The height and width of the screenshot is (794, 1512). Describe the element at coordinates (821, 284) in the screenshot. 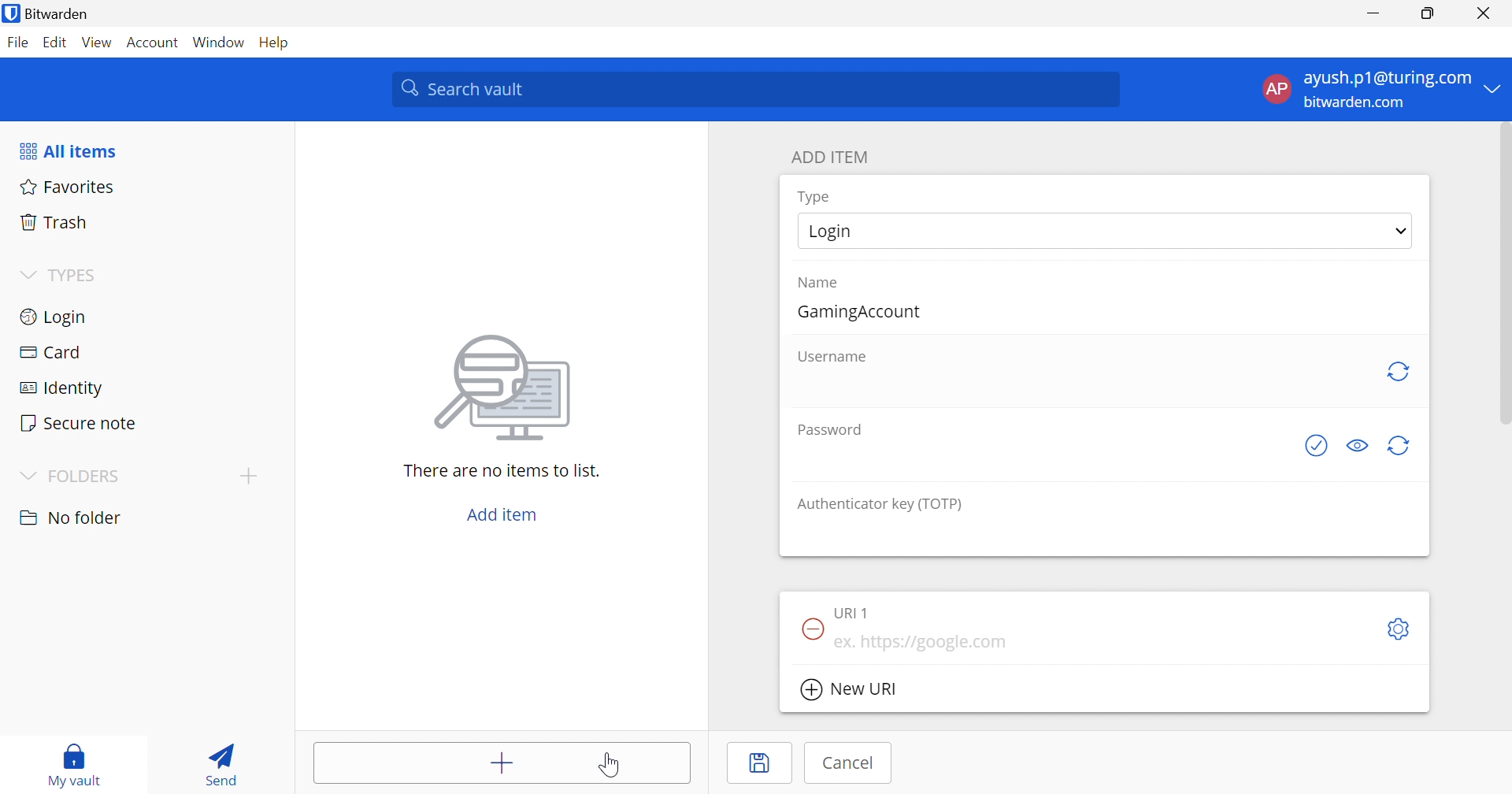

I see `Name` at that location.